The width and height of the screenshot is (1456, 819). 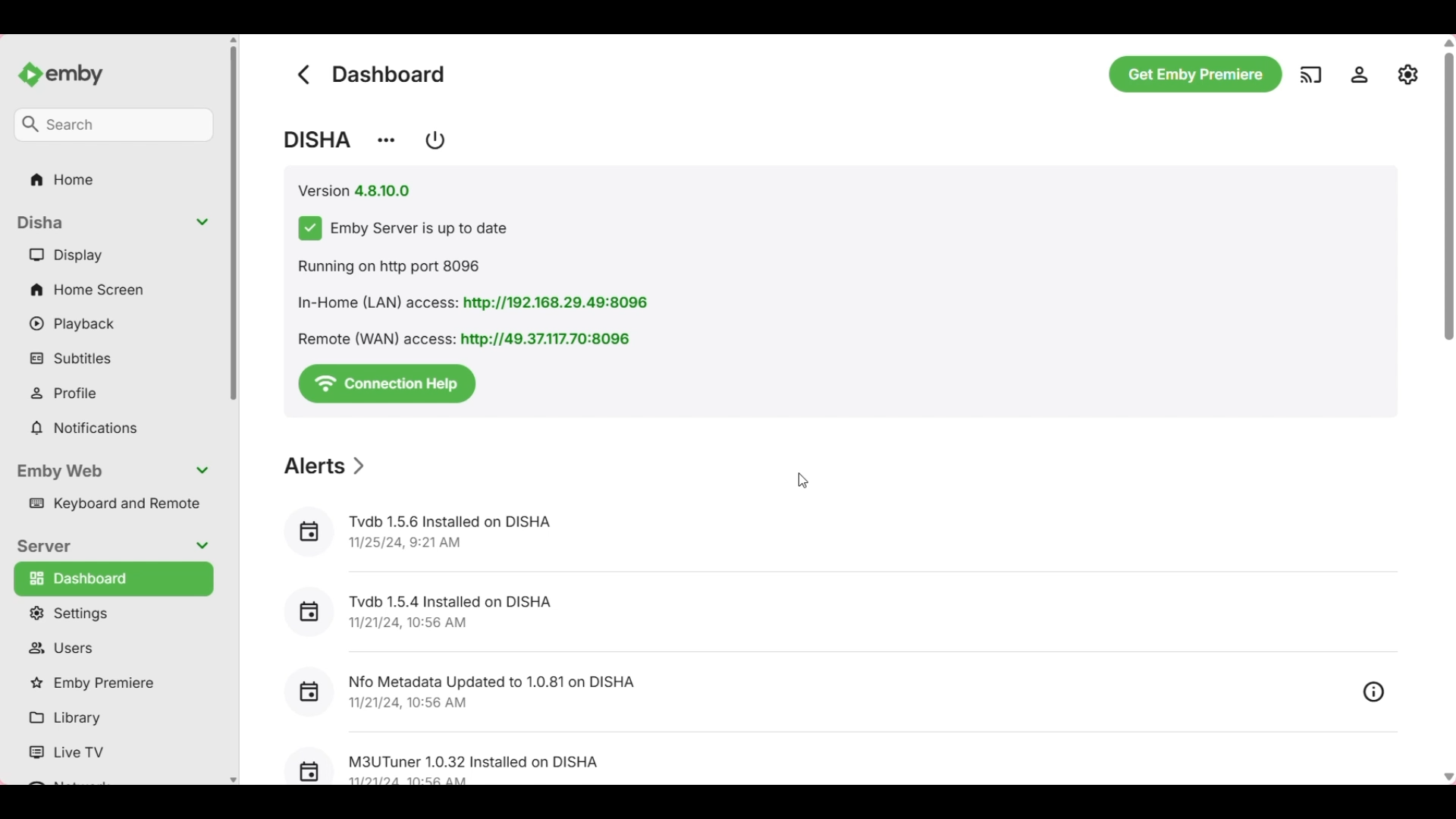 I want to click on Cursor, so click(x=802, y=482).